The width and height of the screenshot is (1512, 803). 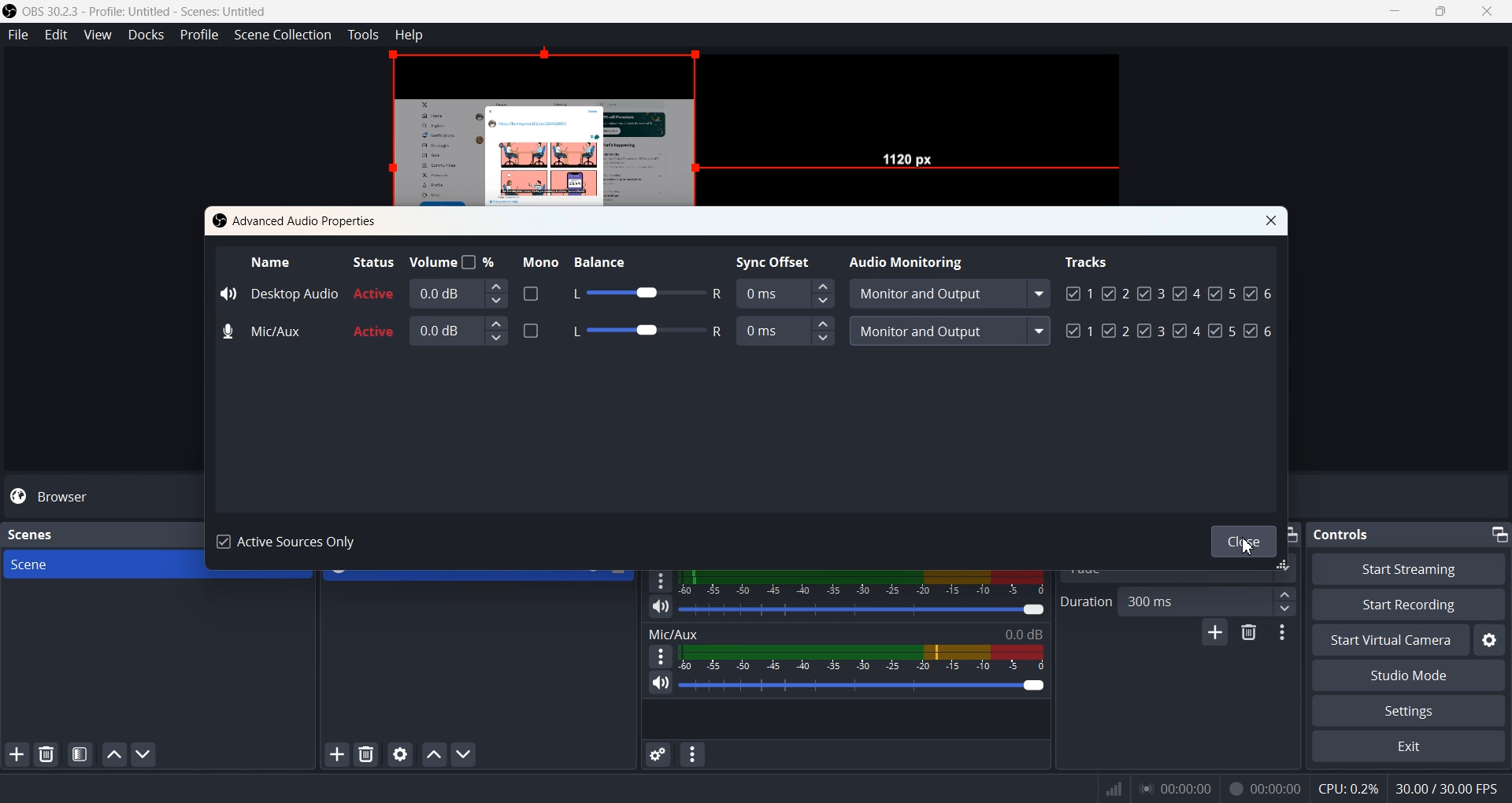 I want to click on Move scene Down, so click(x=145, y=755).